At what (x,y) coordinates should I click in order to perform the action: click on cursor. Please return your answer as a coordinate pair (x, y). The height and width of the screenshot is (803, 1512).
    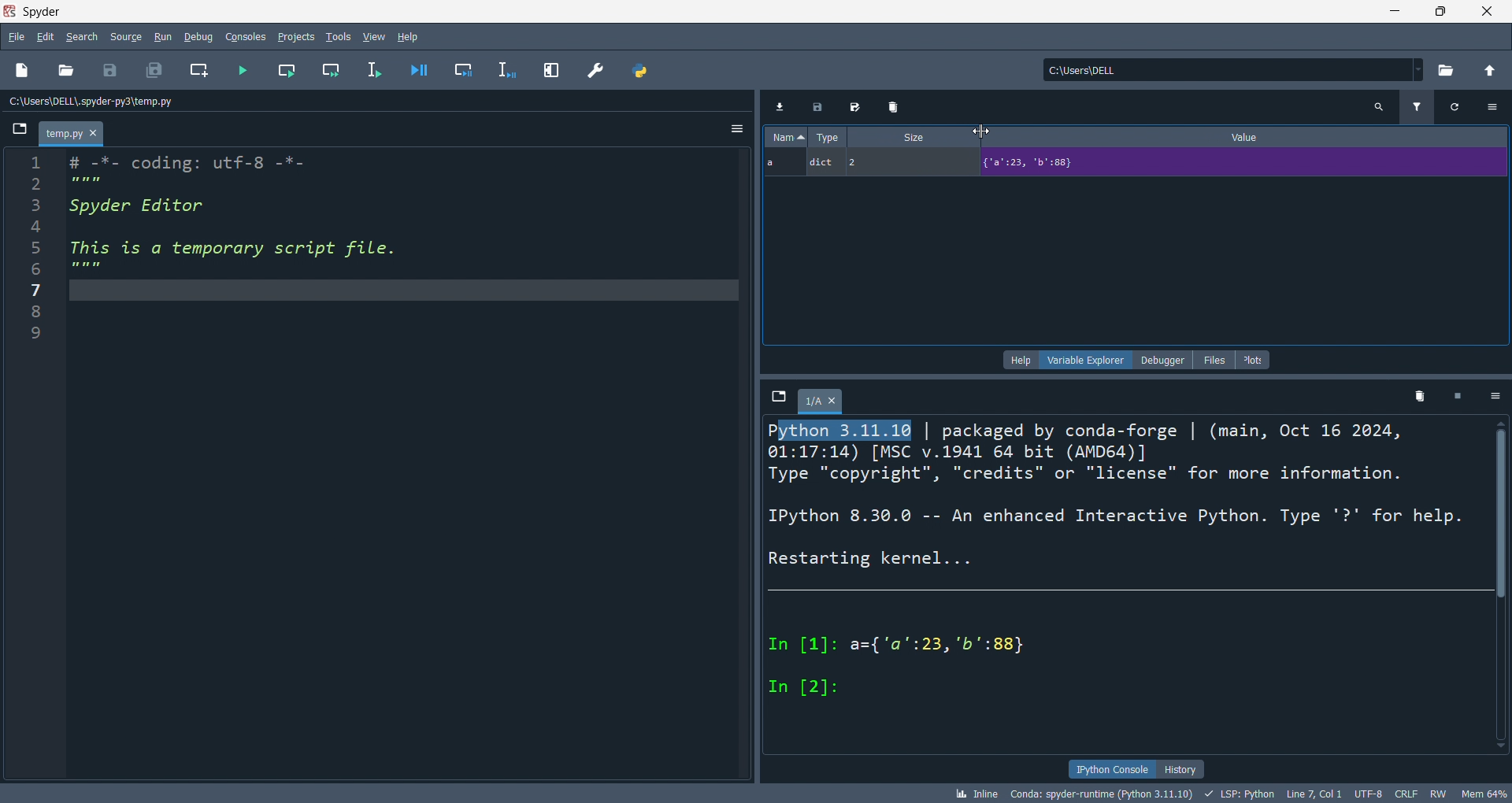
    Looking at the image, I should click on (981, 130).